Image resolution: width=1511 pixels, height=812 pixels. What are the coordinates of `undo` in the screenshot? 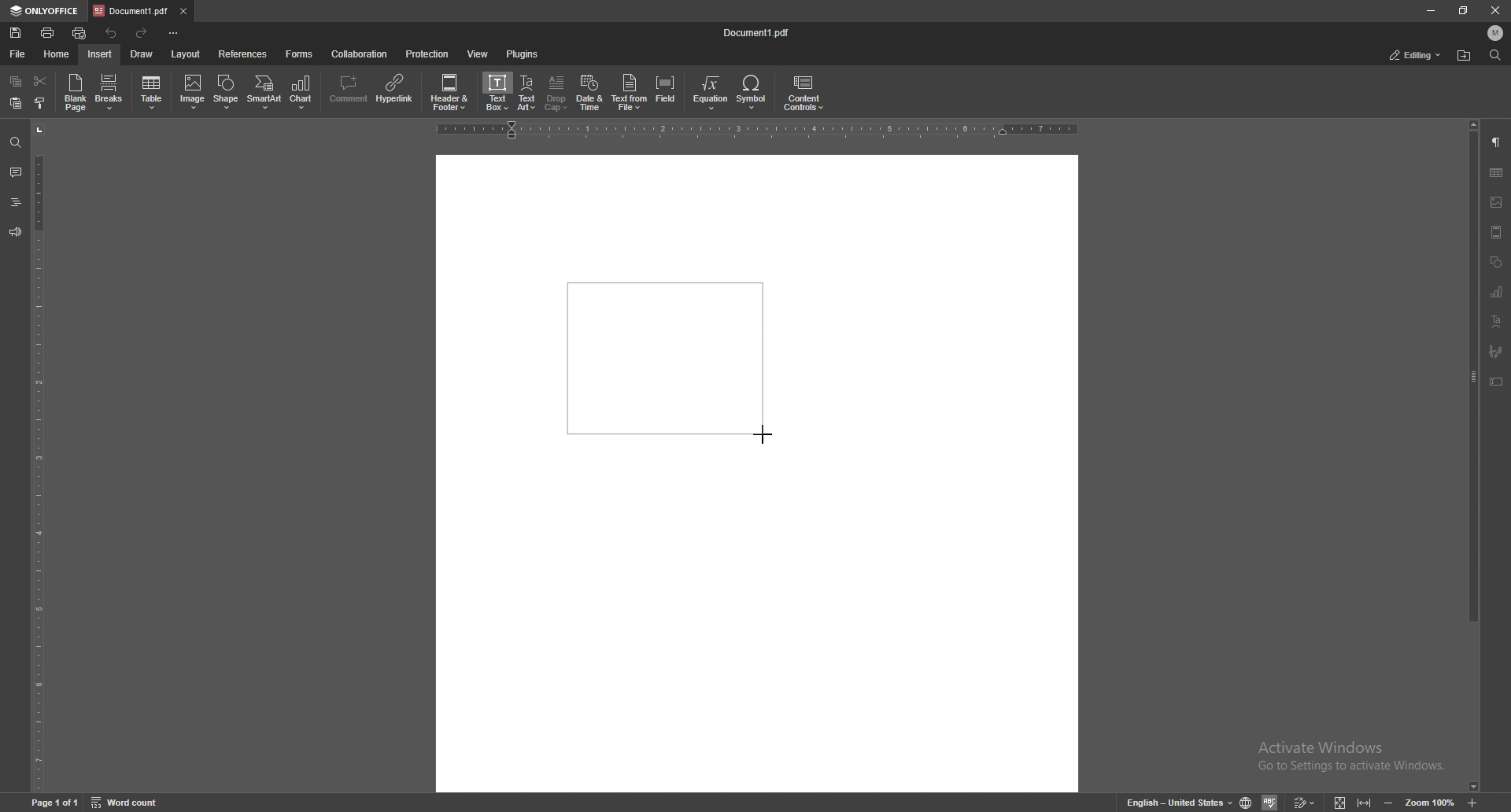 It's located at (113, 33).